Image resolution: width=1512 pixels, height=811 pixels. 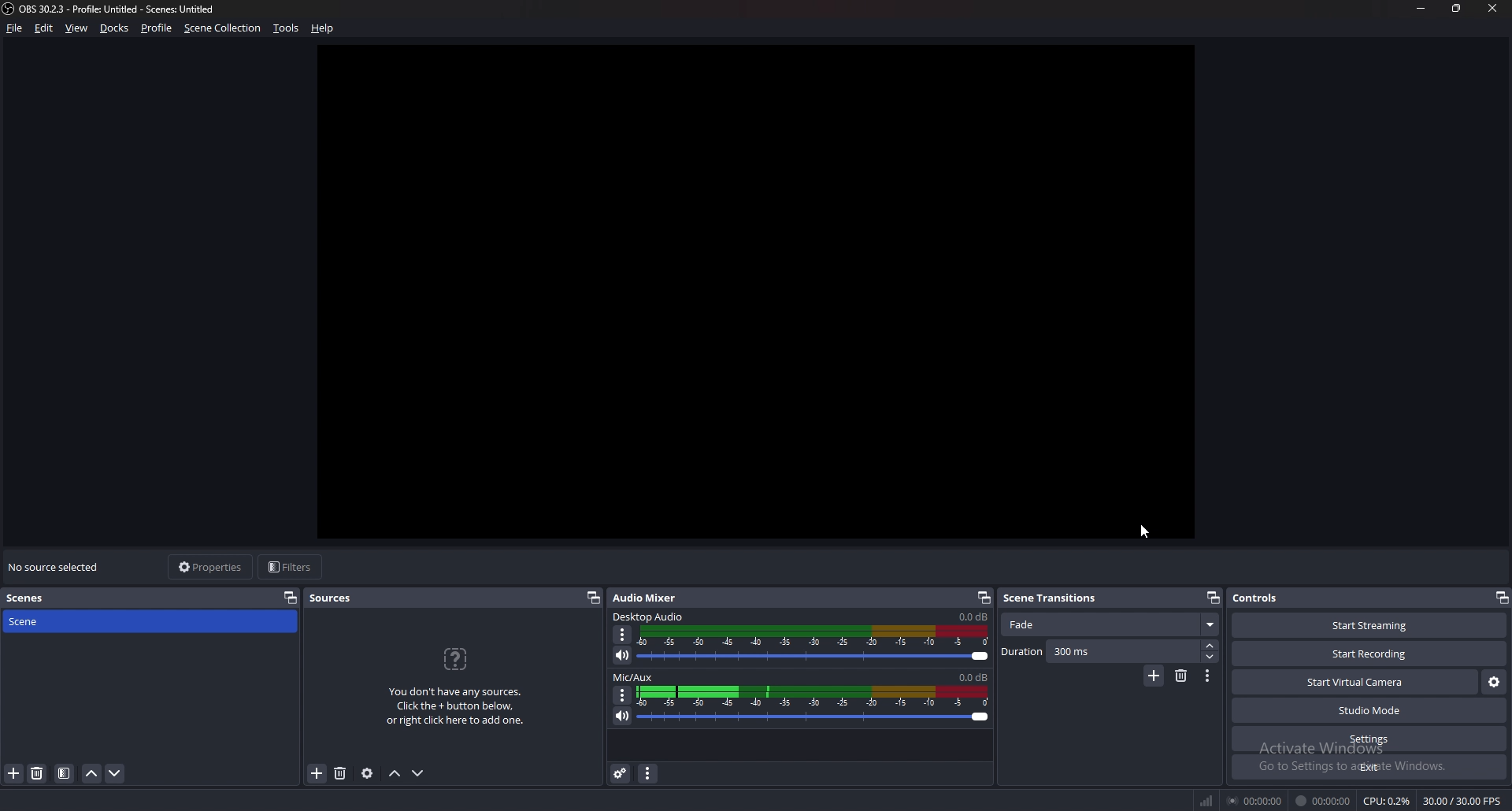 What do you see at coordinates (1058, 597) in the screenshot?
I see `scene transitions` at bounding box center [1058, 597].